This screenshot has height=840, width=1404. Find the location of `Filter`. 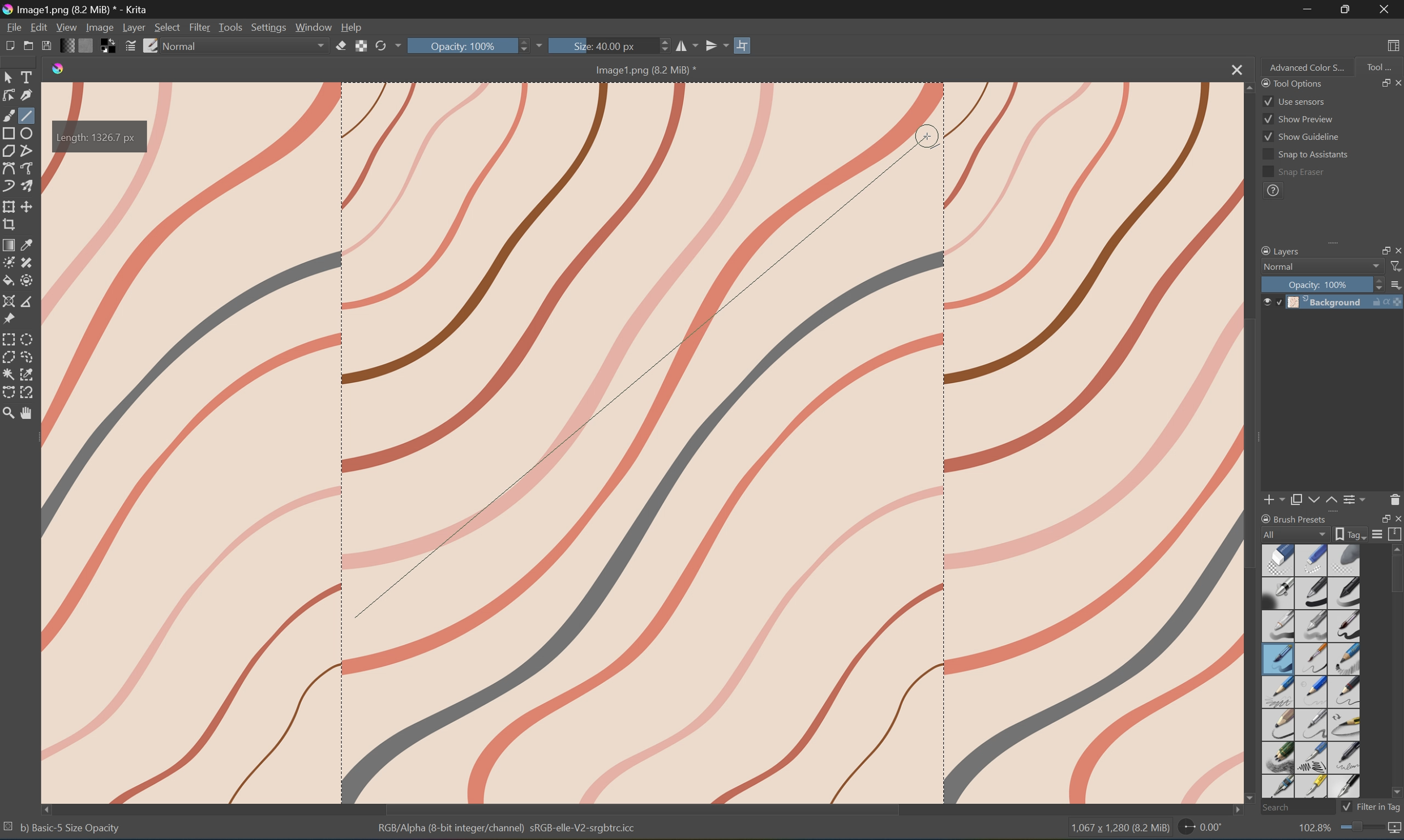

Filter is located at coordinates (1396, 267).